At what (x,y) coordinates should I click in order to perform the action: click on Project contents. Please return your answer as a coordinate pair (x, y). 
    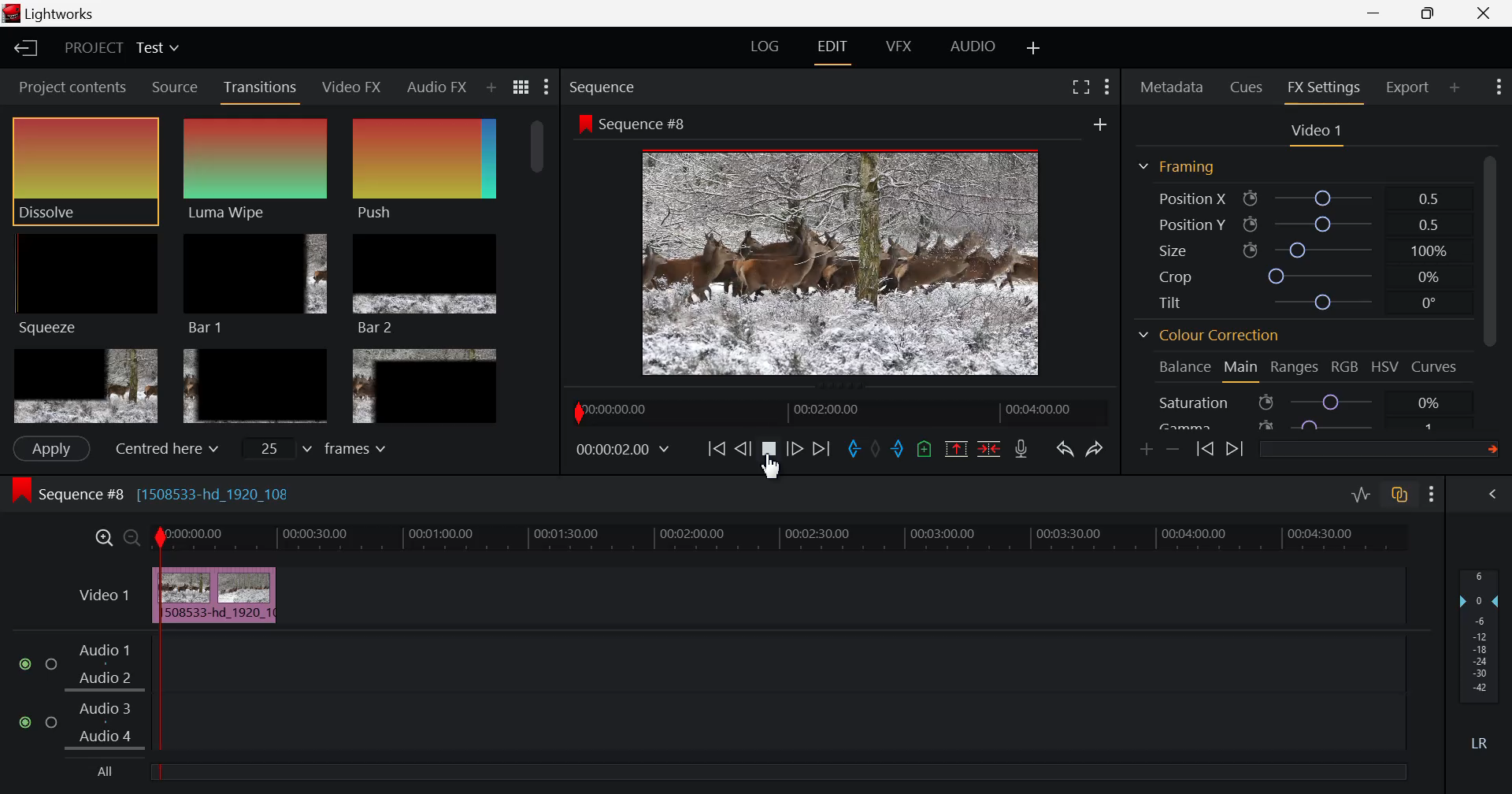
    Looking at the image, I should click on (67, 87).